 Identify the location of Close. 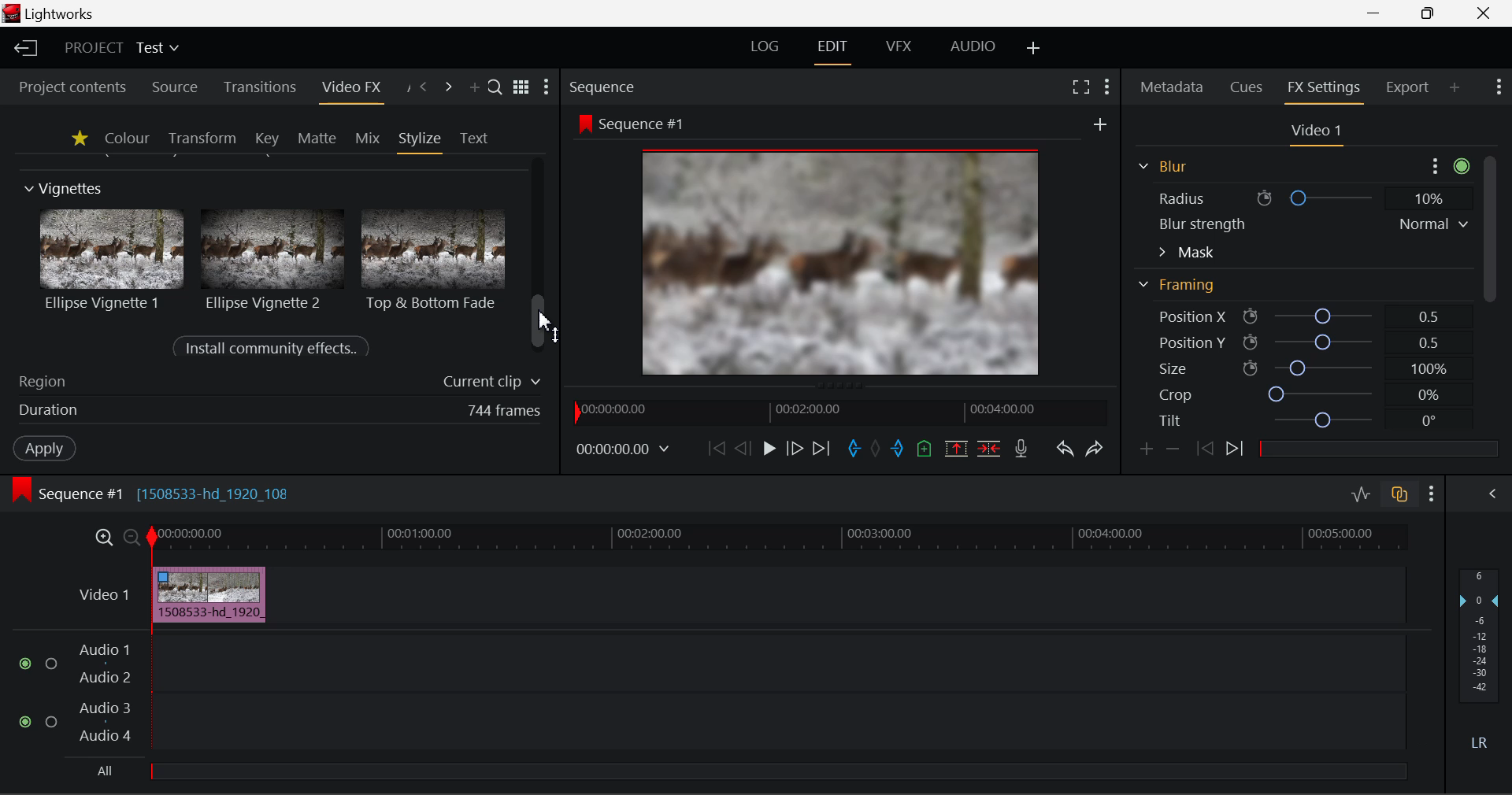
(1482, 13).